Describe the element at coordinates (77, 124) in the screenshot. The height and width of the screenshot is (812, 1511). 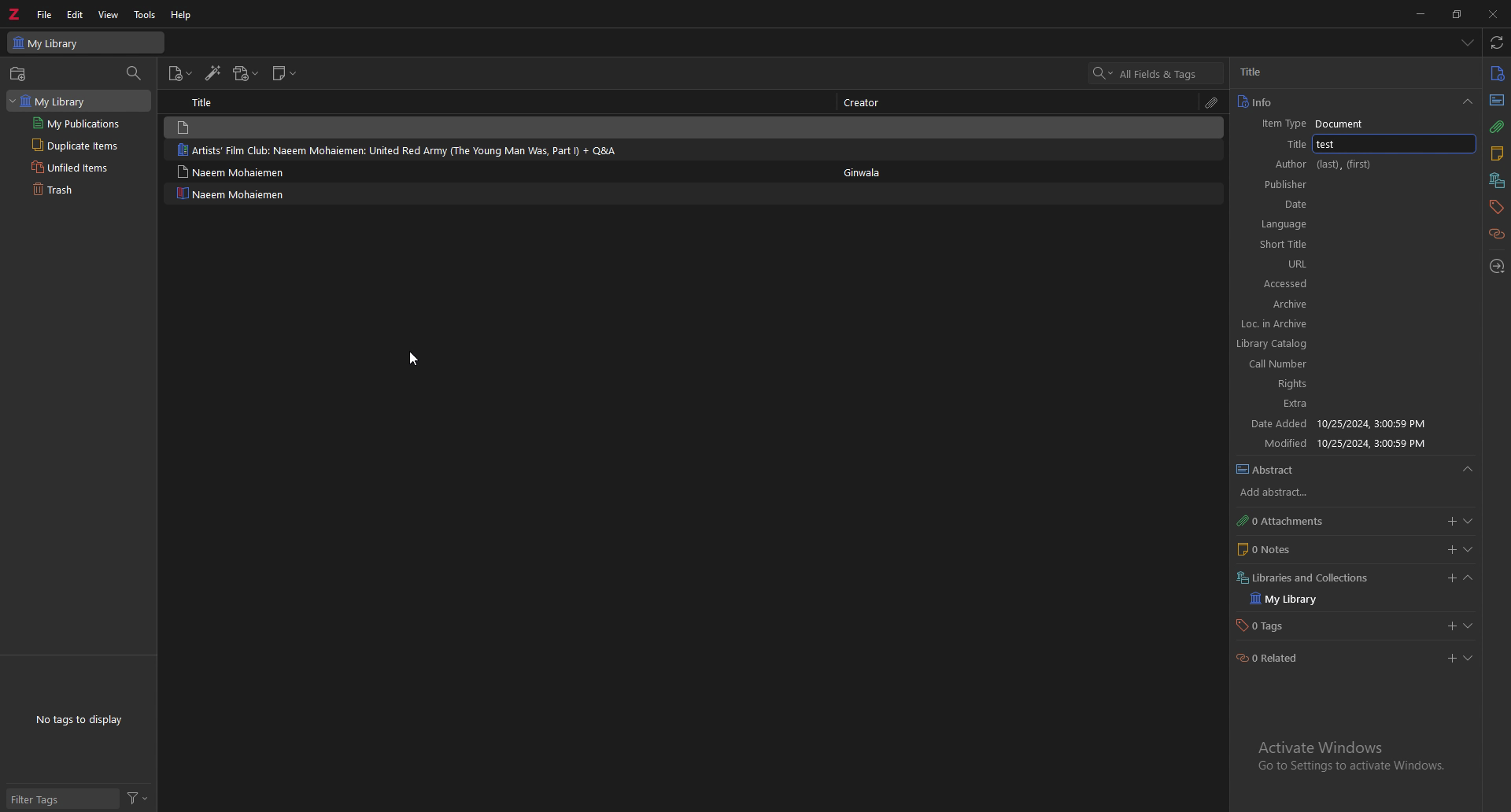
I see `my publications` at that location.